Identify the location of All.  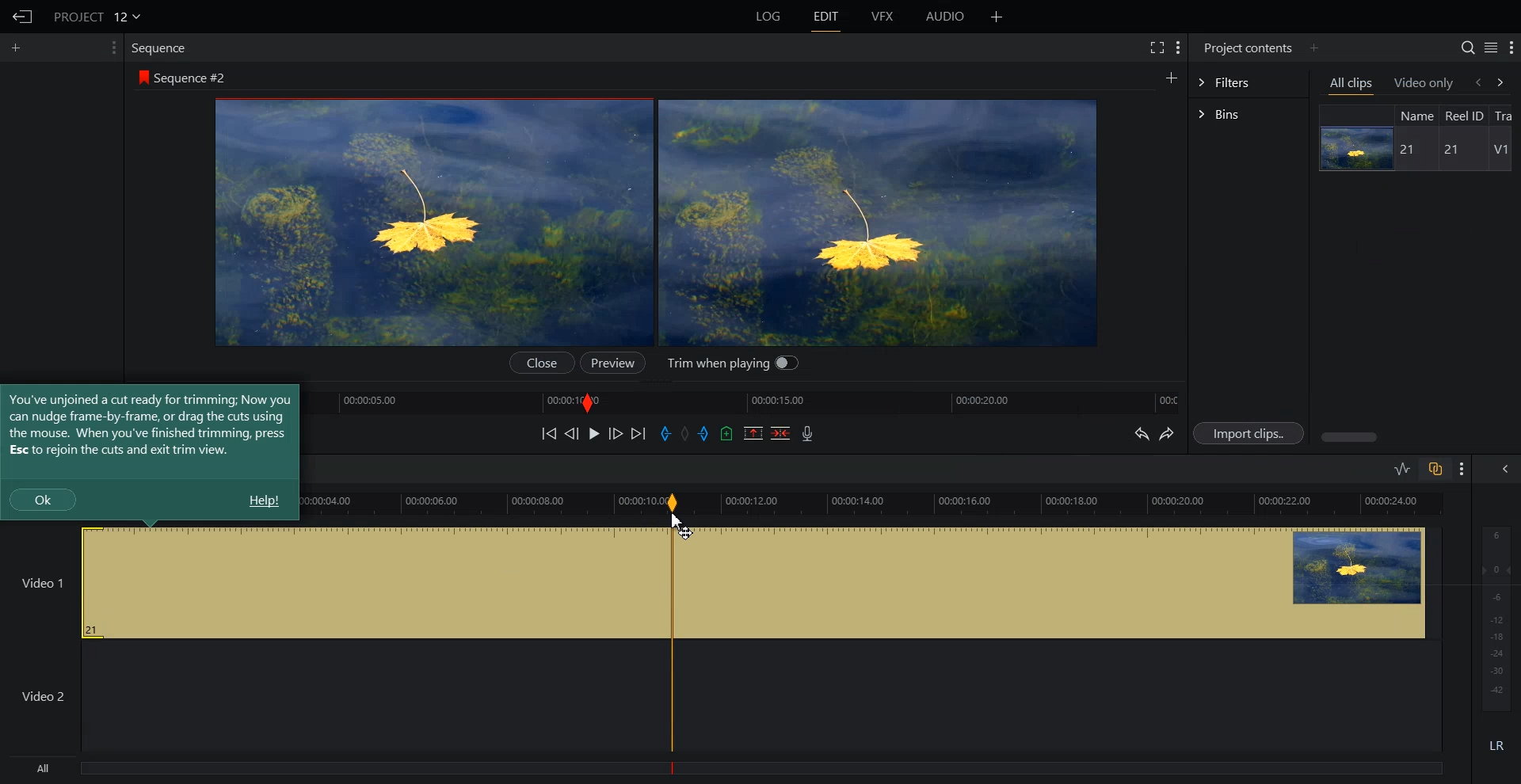
(329, 770).